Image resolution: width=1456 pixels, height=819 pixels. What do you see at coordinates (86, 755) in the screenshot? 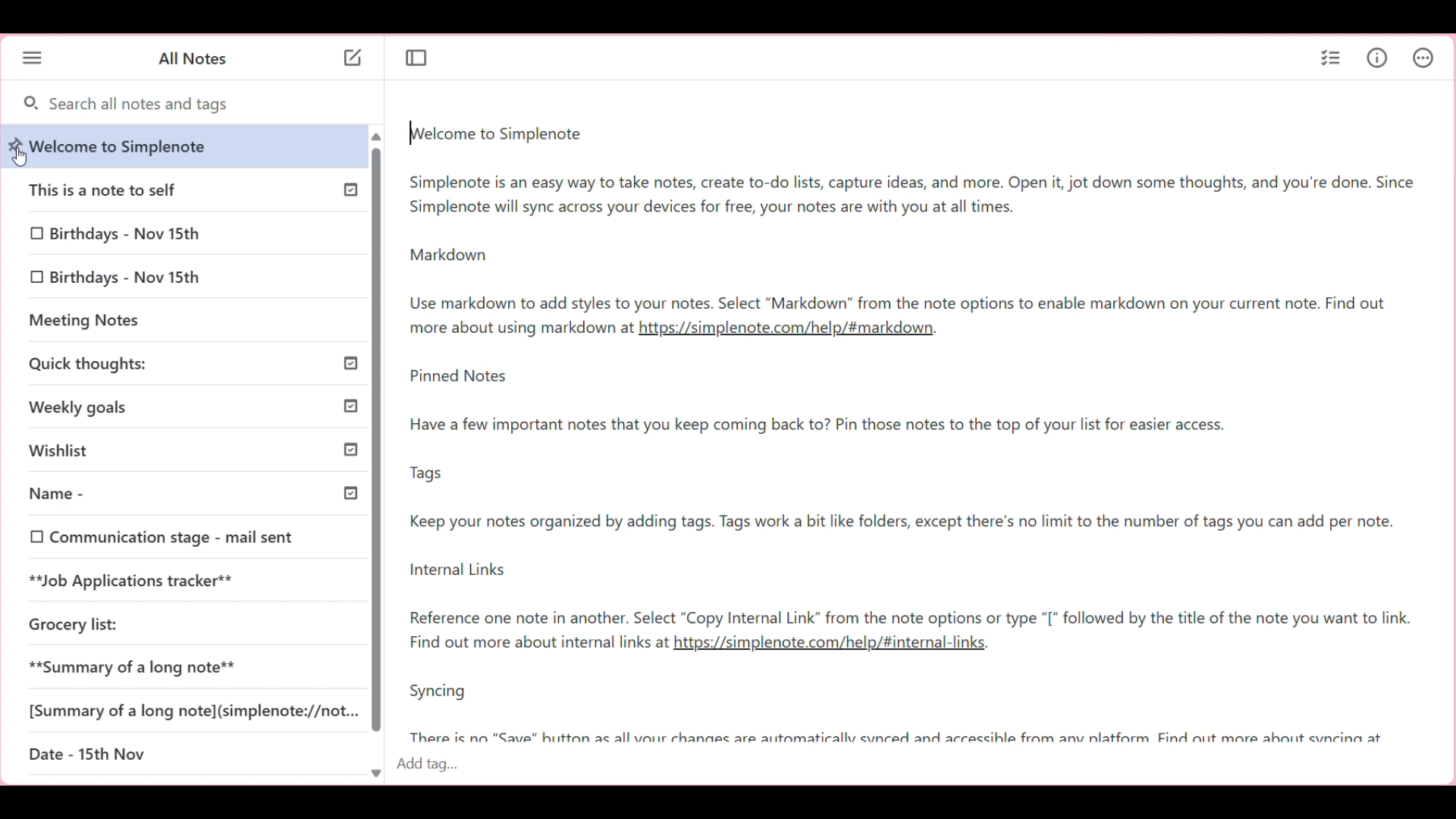
I see `Date - 15th Nov` at bounding box center [86, 755].